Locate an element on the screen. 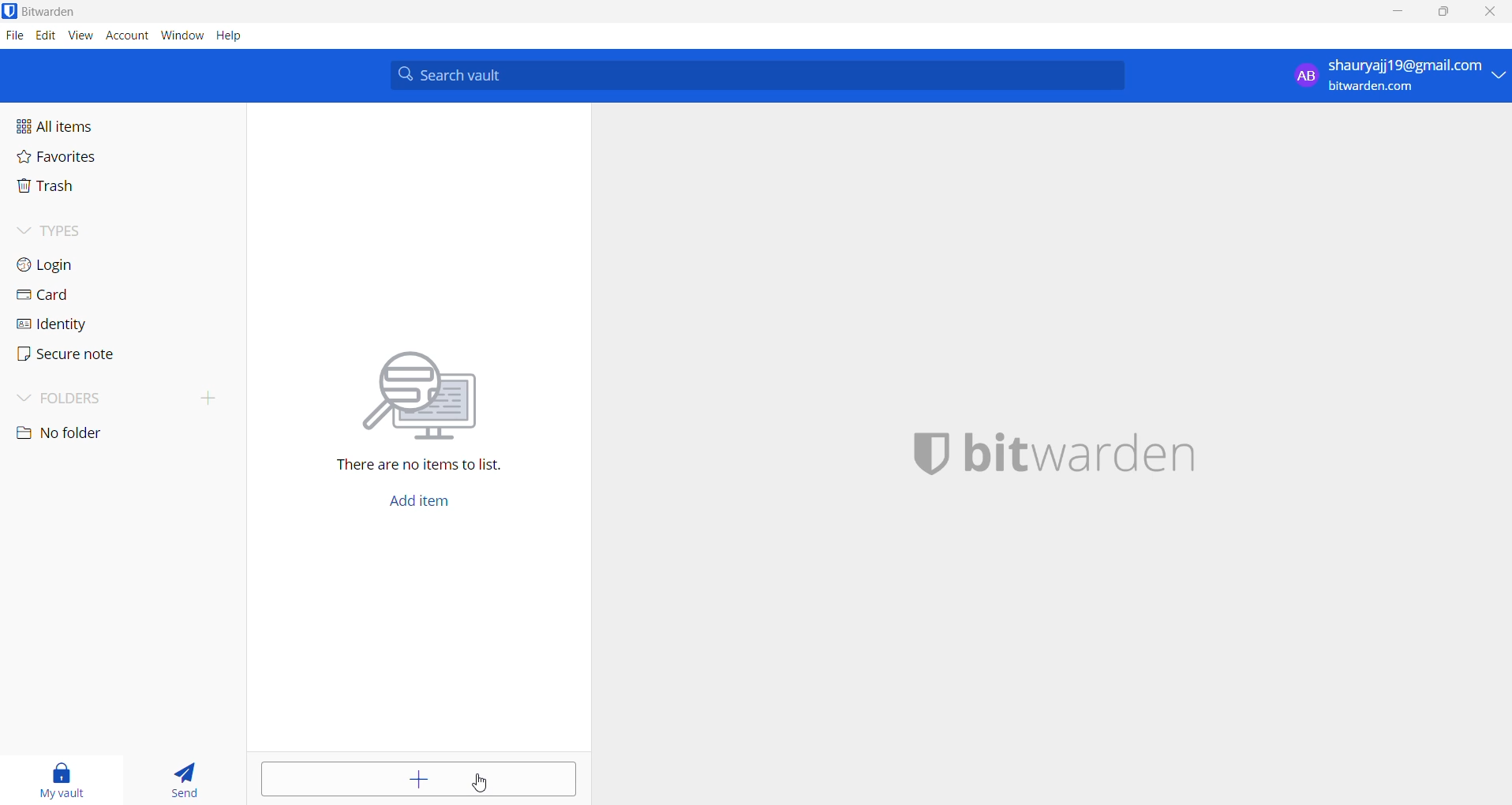  secure note is located at coordinates (85, 358).